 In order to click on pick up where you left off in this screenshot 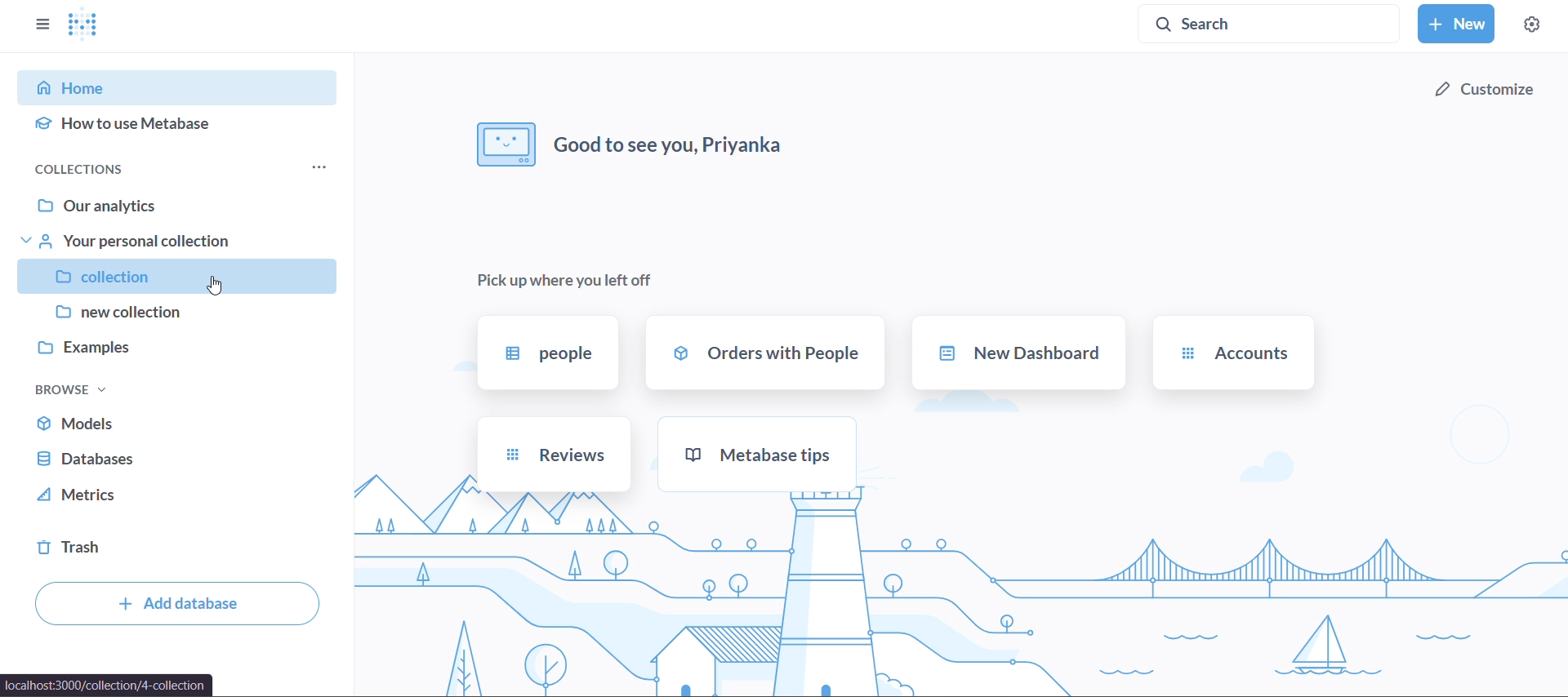, I will do `click(567, 282)`.